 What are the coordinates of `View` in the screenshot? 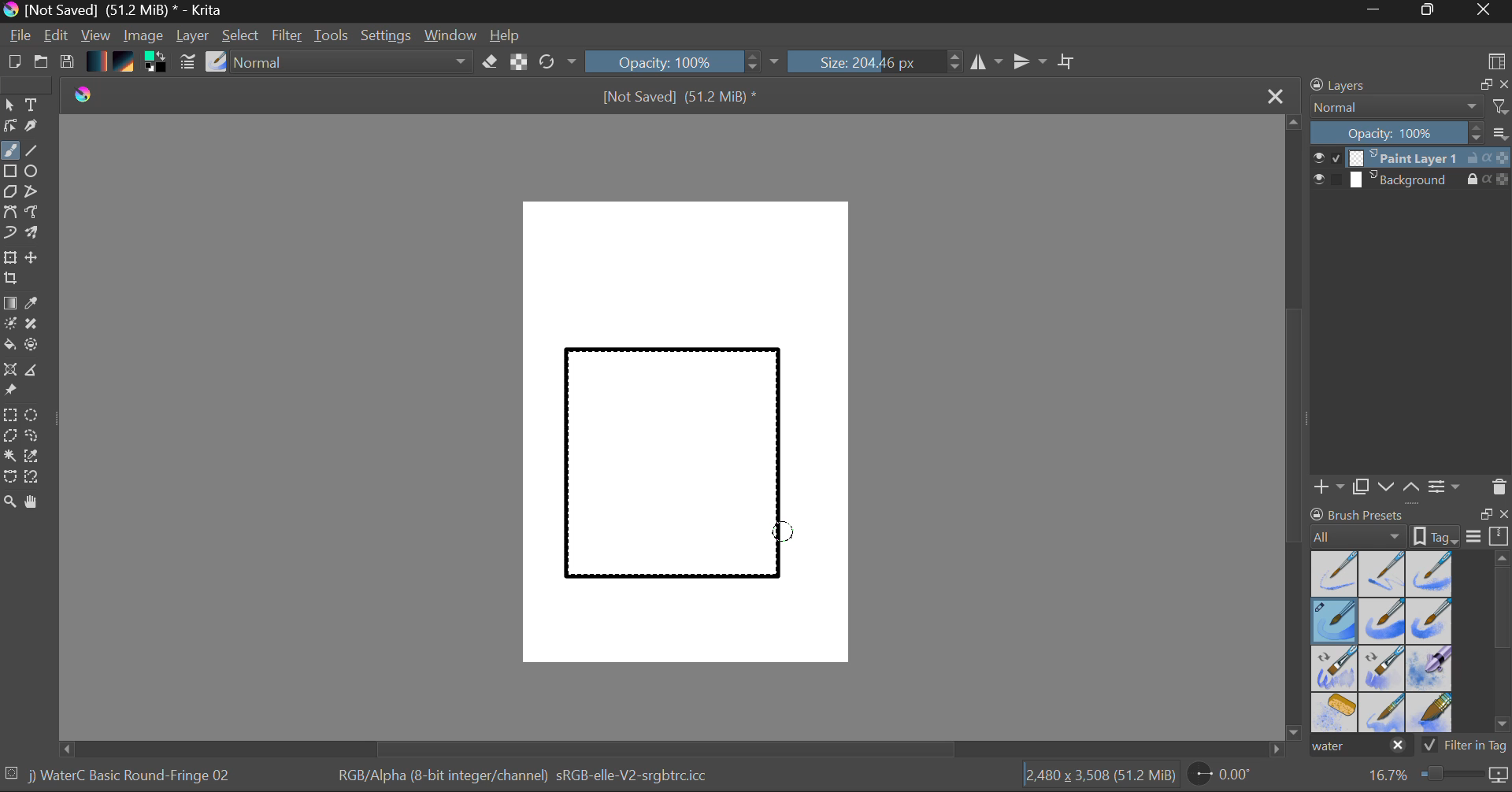 It's located at (96, 35).